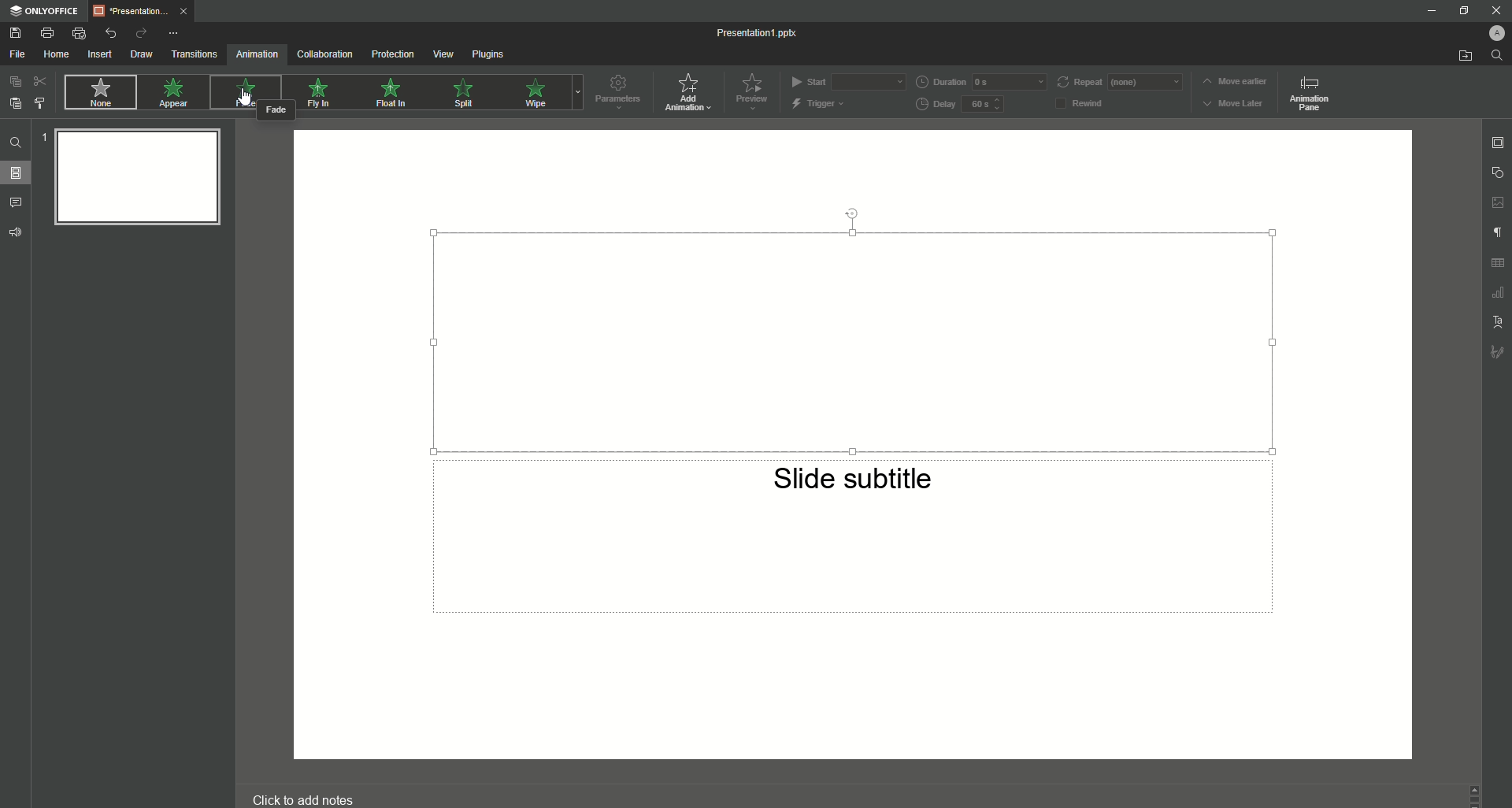 The image size is (1512, 808). Describe the element at coordinates (133, 182) in the screenshot. I see `Slide Preview` at that location.